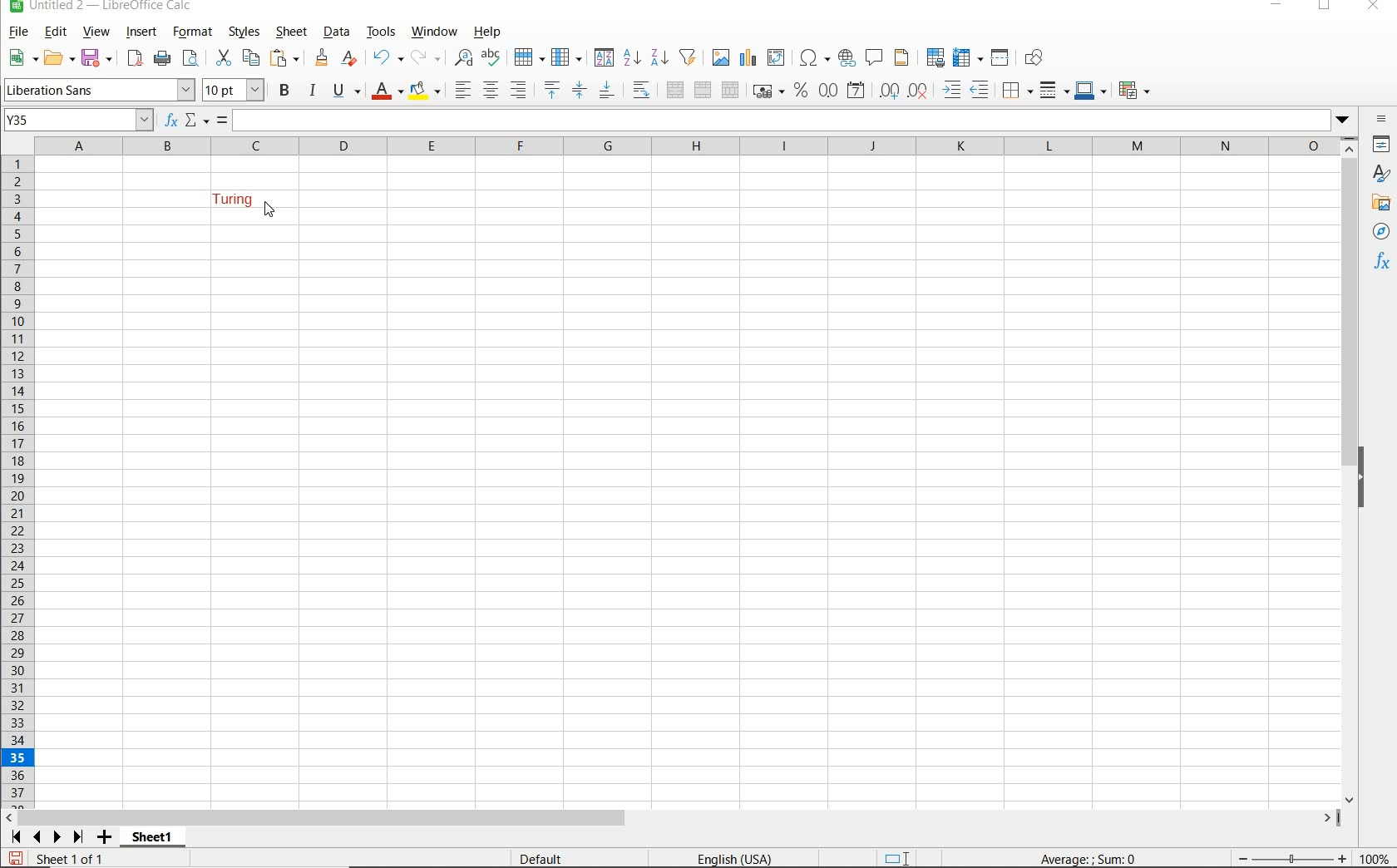  What do you see at coordinates (1352, 470) in the screenshot?
I see `SCROLLBAR` at bounding box center [1352, 470].